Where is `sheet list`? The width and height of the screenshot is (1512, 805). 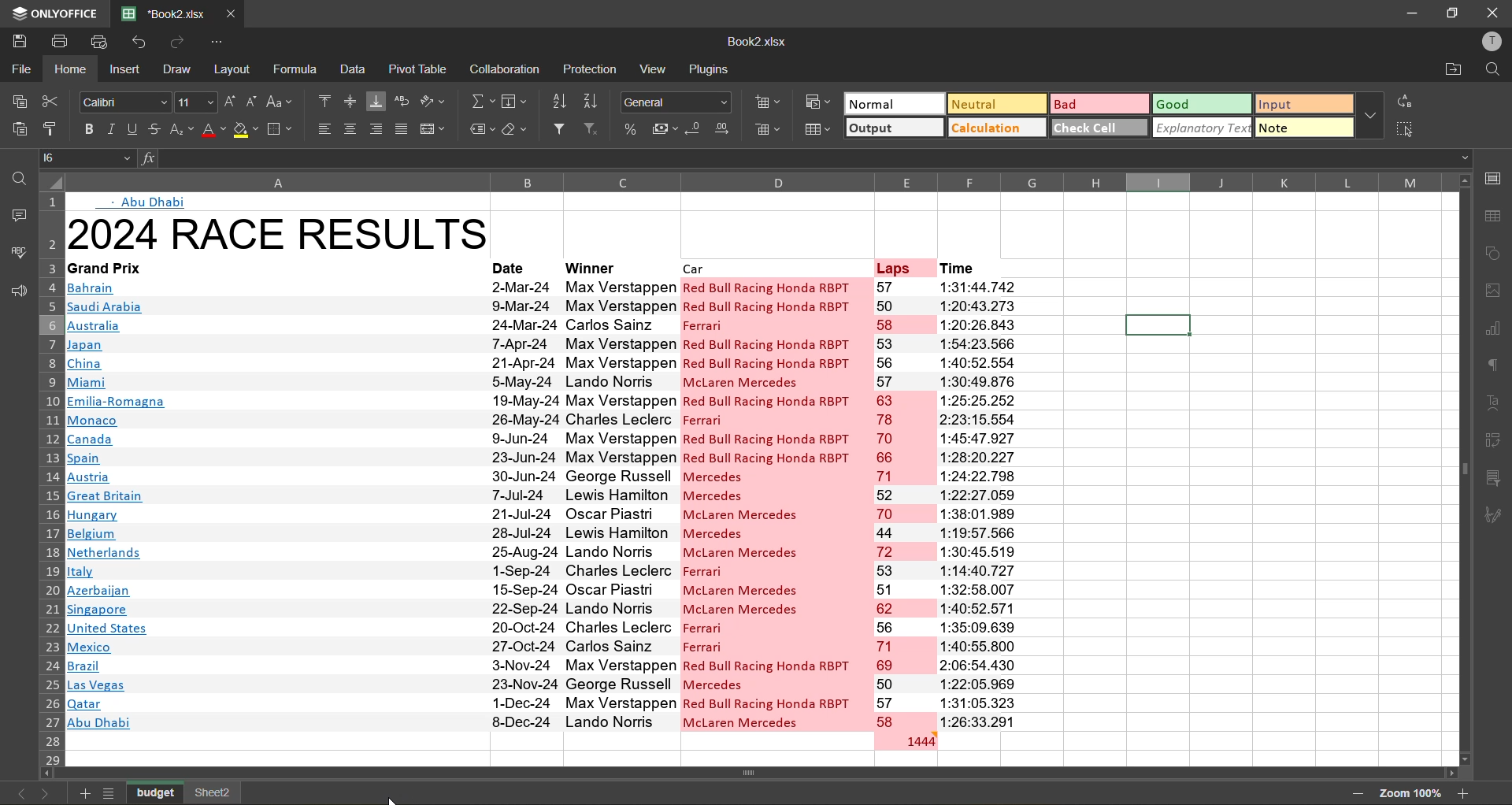 sheet list is located at coordinates (109, 792).